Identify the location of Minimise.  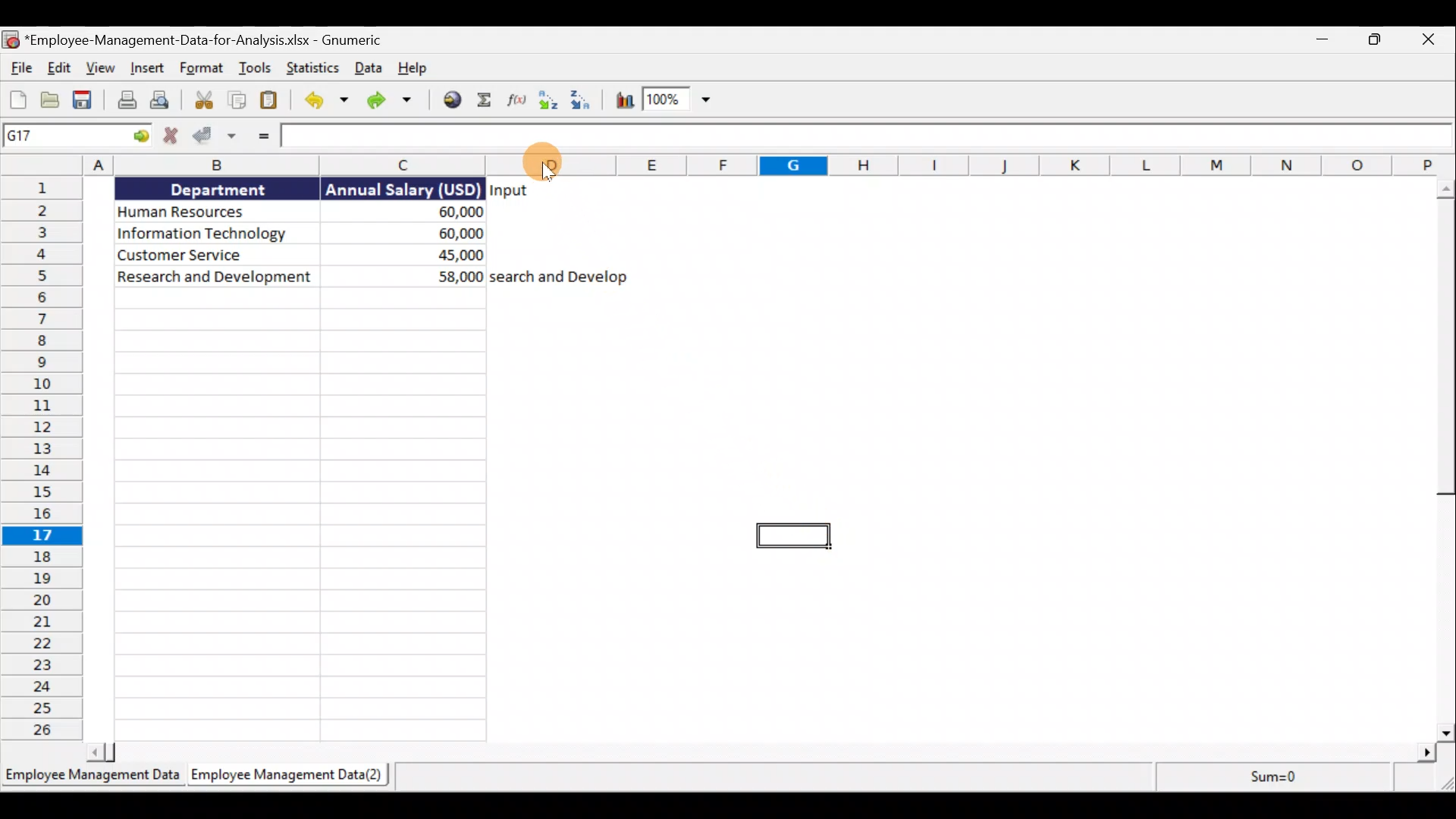
(1321, 39).